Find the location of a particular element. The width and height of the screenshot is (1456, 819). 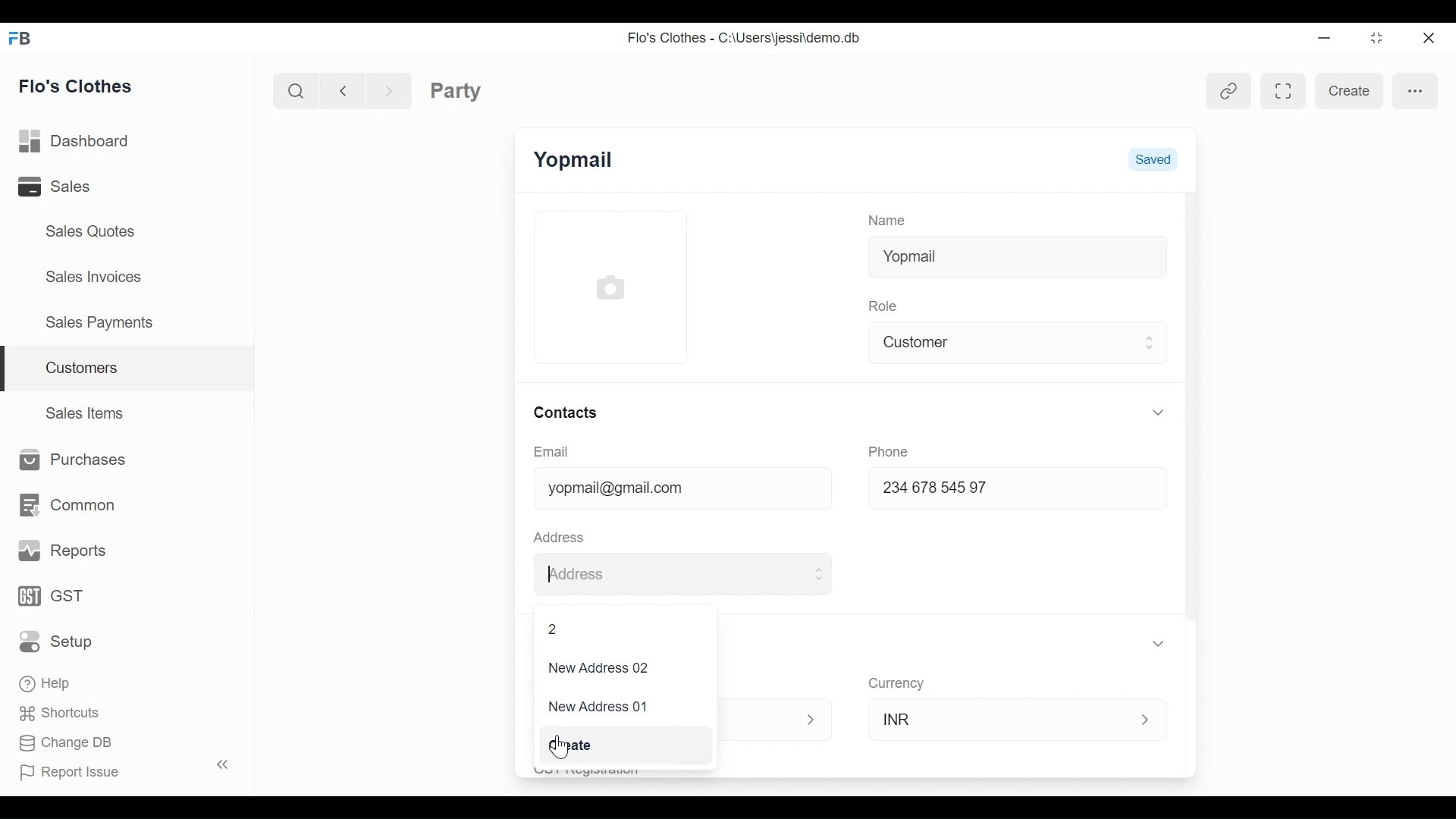

Contacts is located at coordinates (571, 413).